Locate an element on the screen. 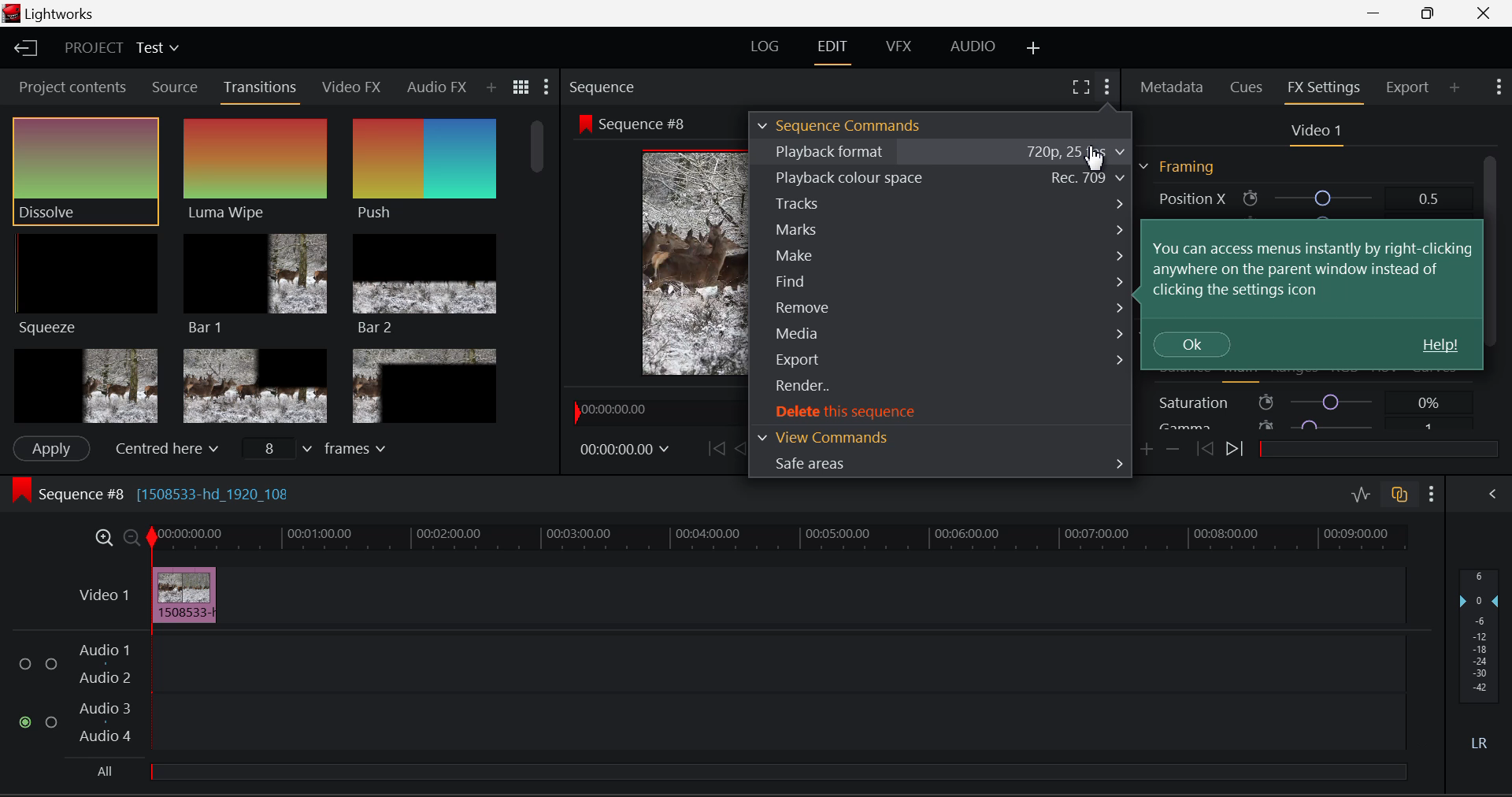  Toggle list and title view is located at coordinates (521, 86).